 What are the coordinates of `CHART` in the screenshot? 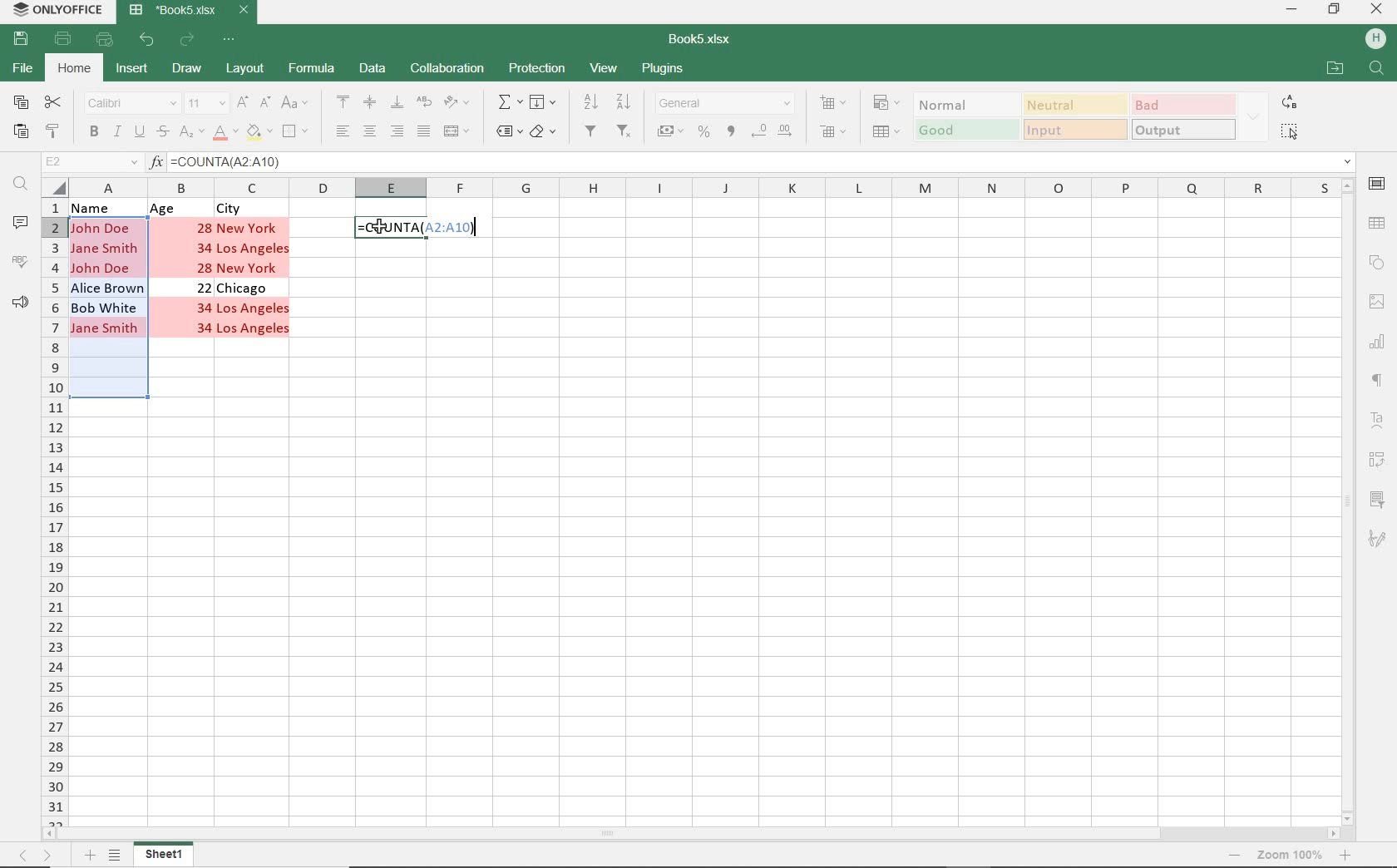 It's located at (1376, 338).